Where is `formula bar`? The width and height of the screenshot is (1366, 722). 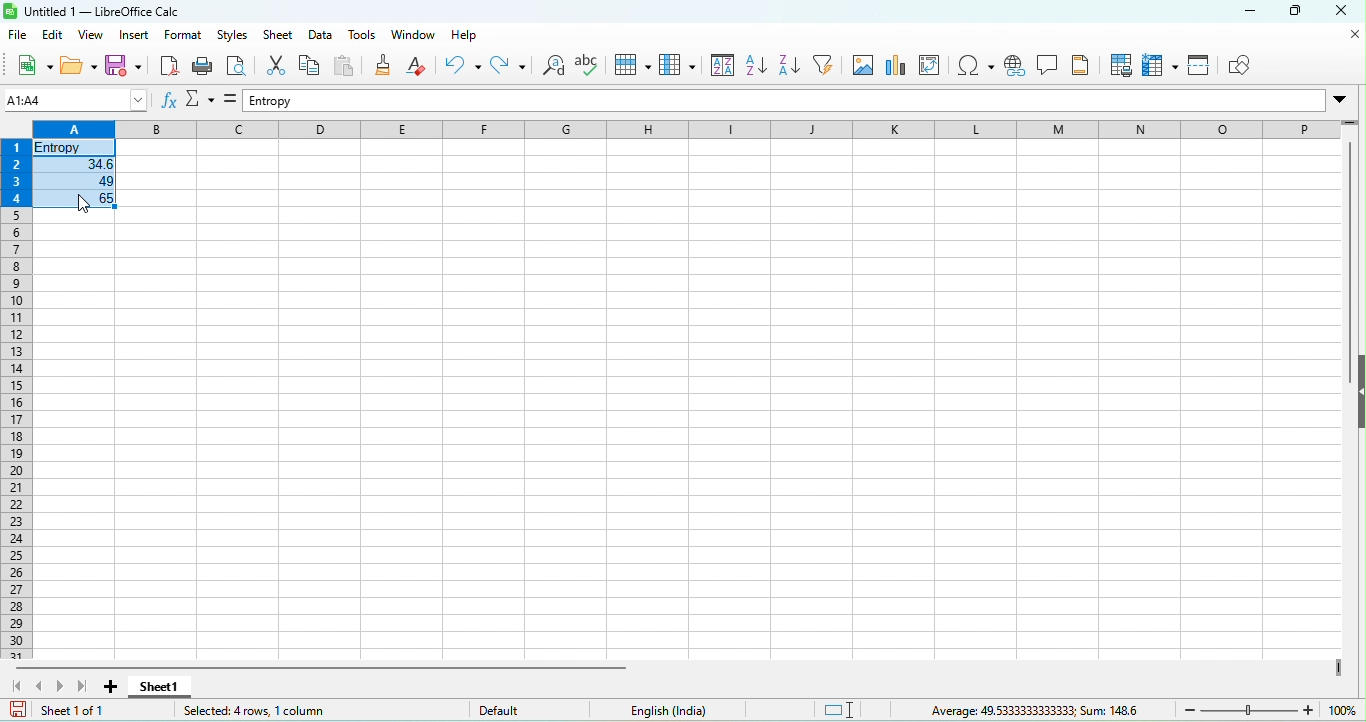
formula bar is located at coordinates (783, 102).